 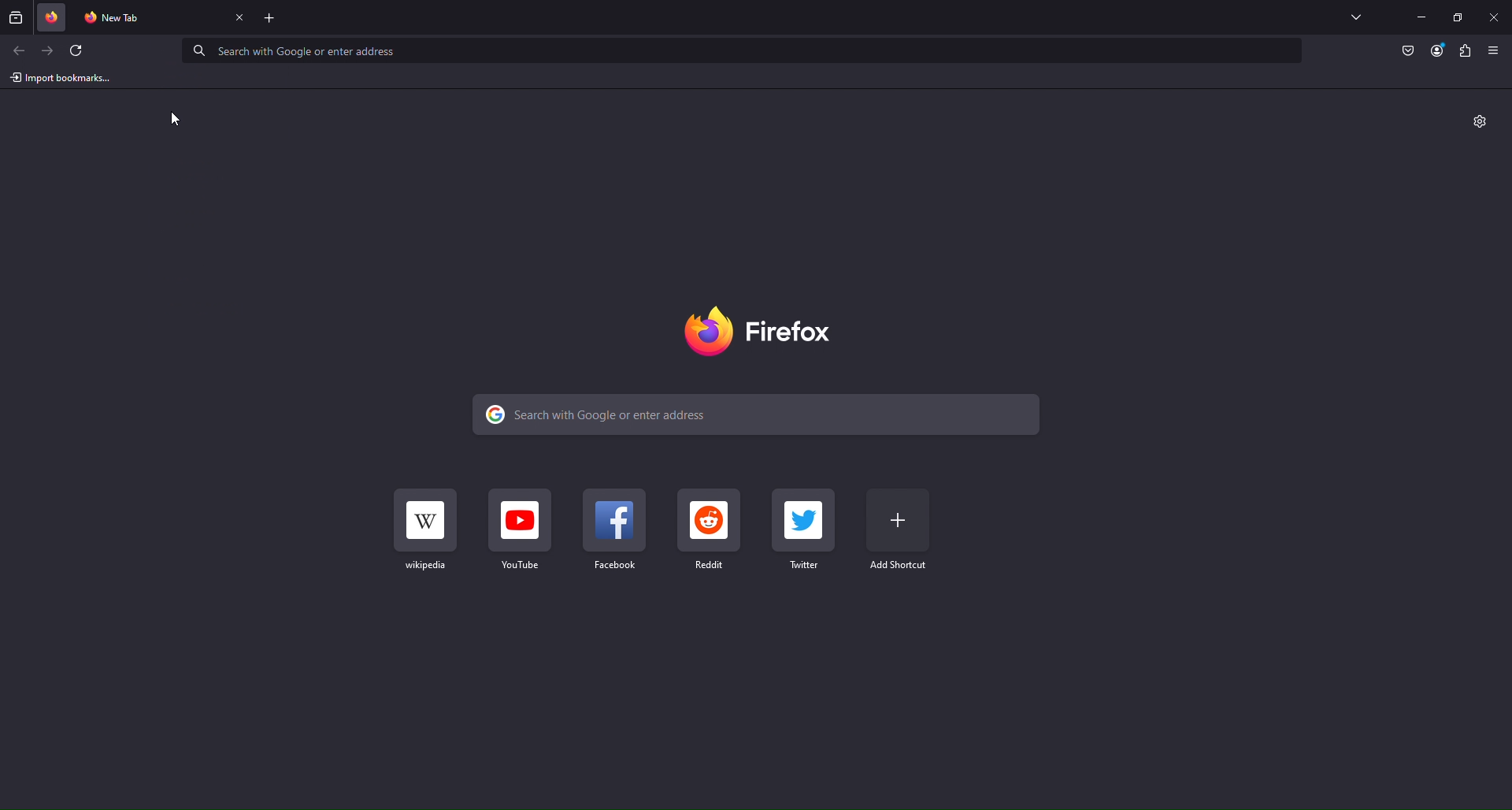 I want to click on Plugin, so click(x=1467, y=51).